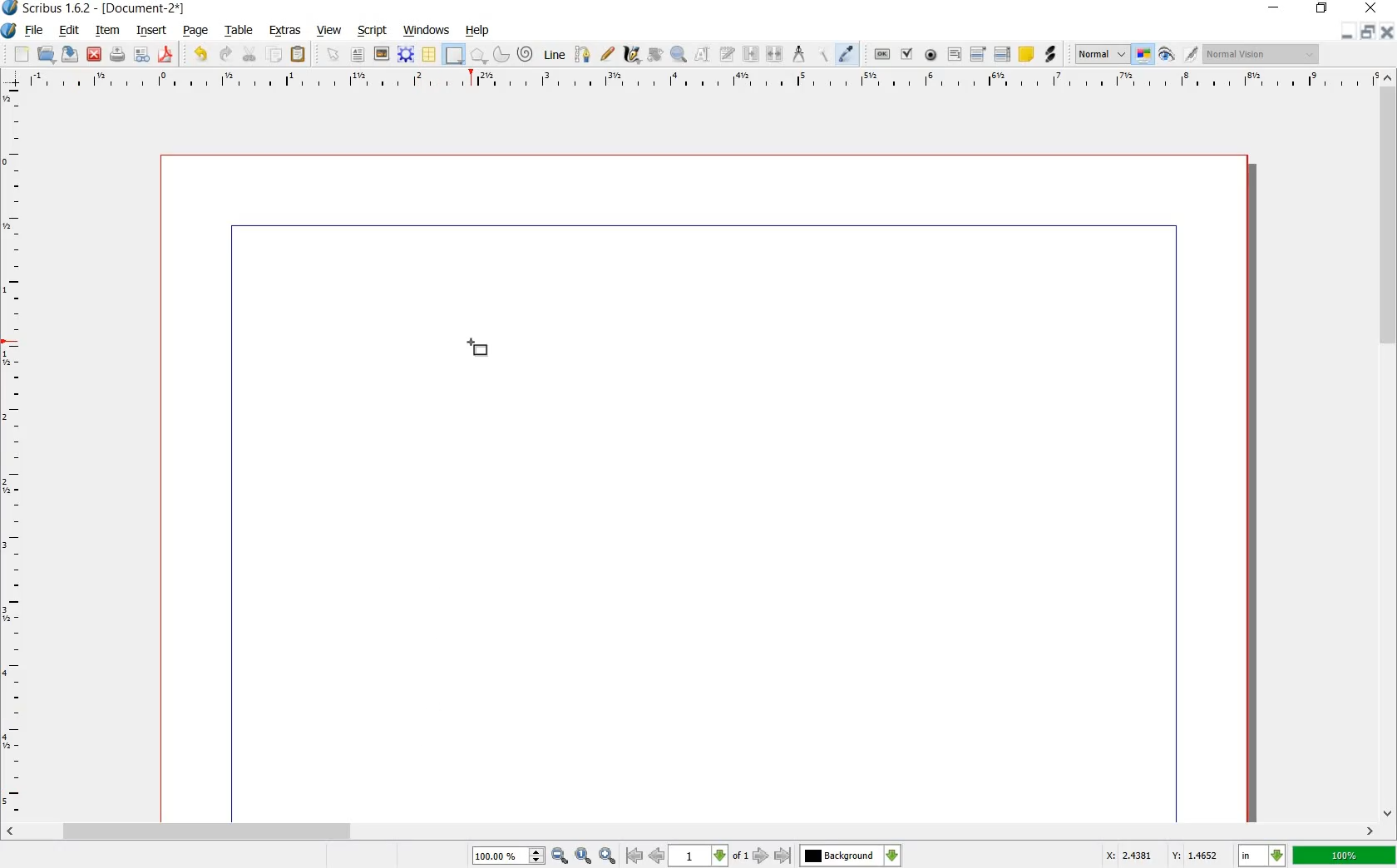 The height and width of the screenshot is (868, 1397). What do you see at coordinates (10, 29) in the screenshot?
I see `SYSTEM LOGO` at bounding box center [10, 29].